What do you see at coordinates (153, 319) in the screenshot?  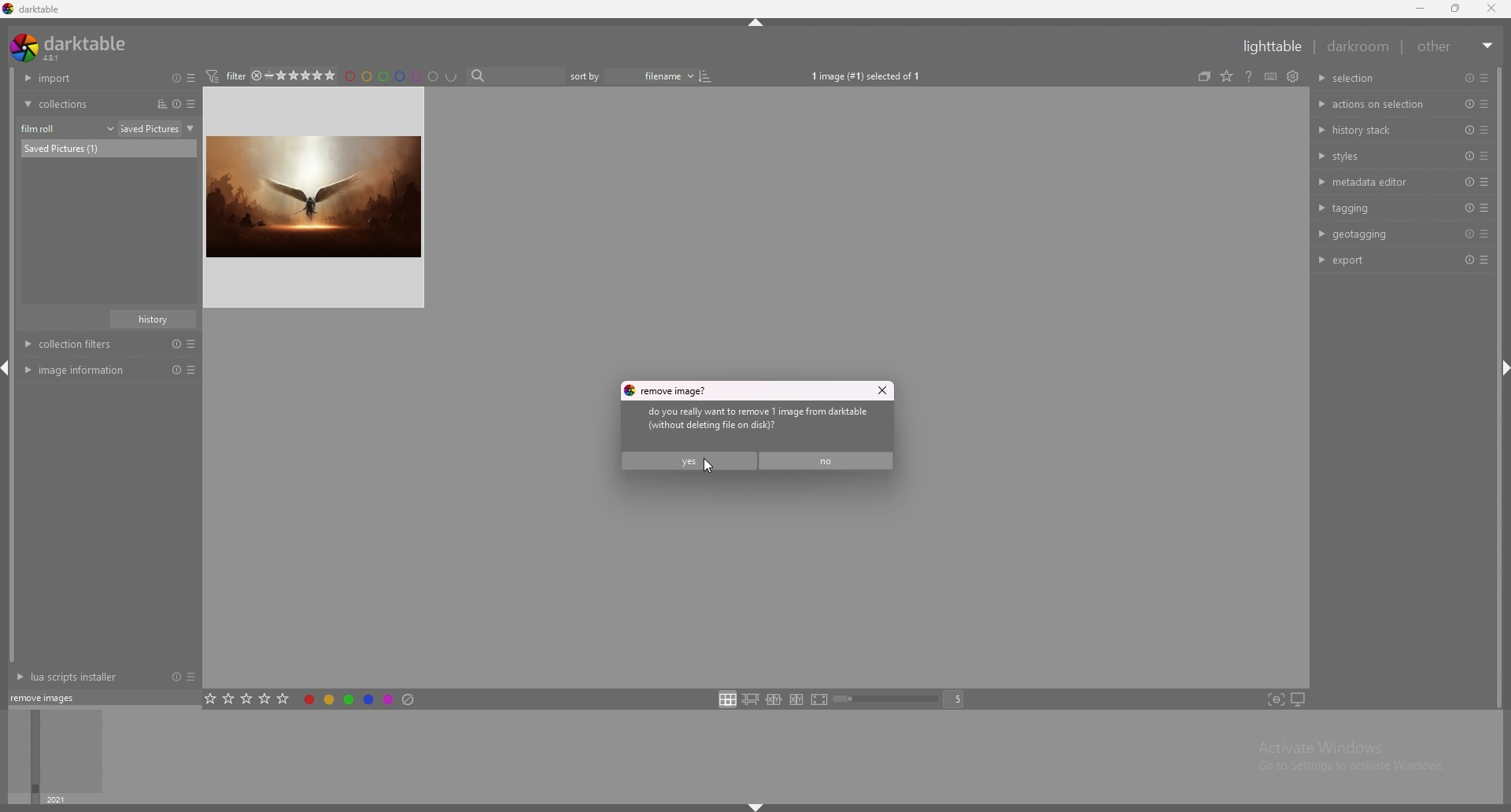 I see `history name` at bounding box center [153, 319].